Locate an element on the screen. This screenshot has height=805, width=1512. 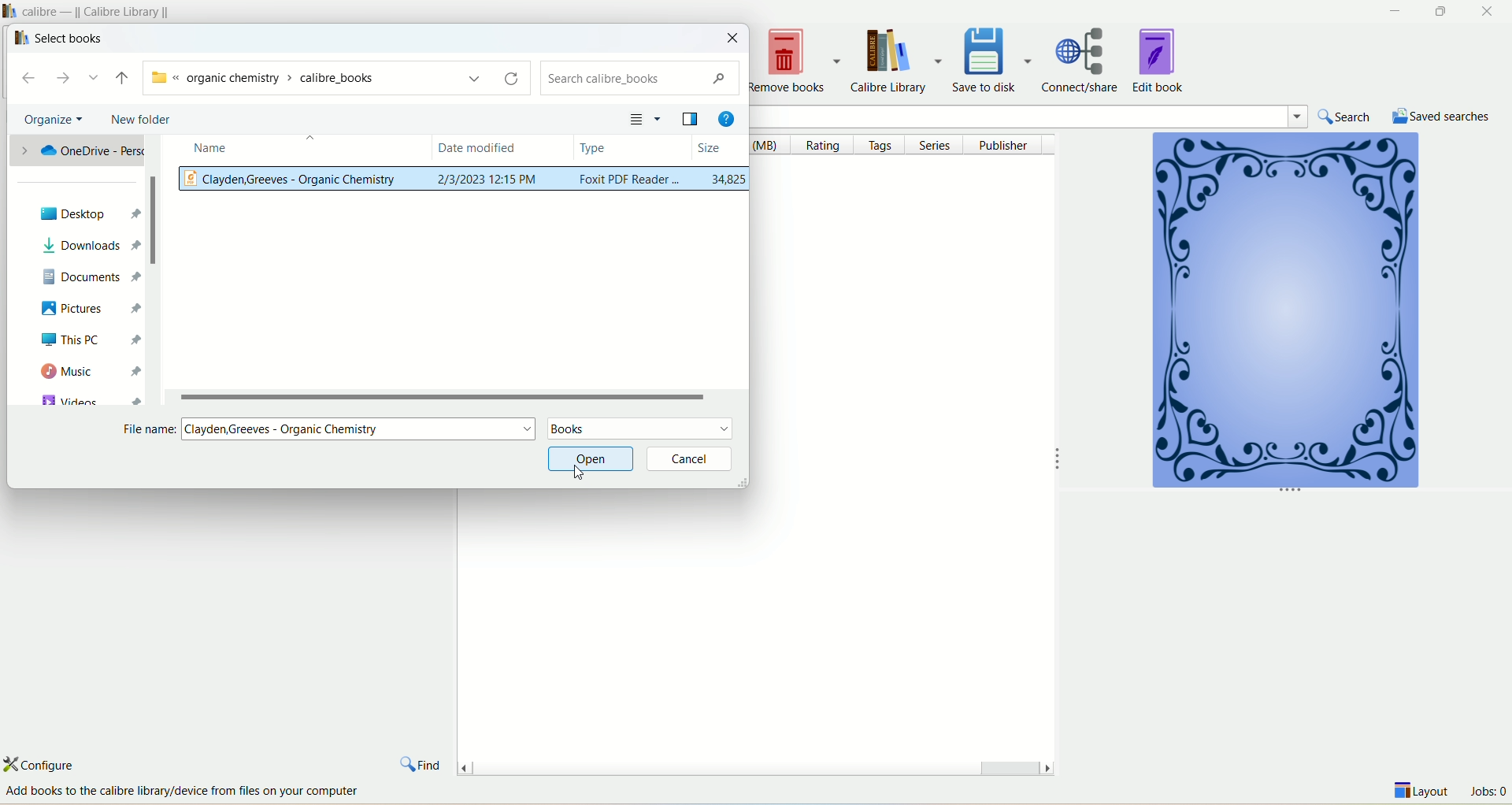
name is located at coordinates (291, 150).